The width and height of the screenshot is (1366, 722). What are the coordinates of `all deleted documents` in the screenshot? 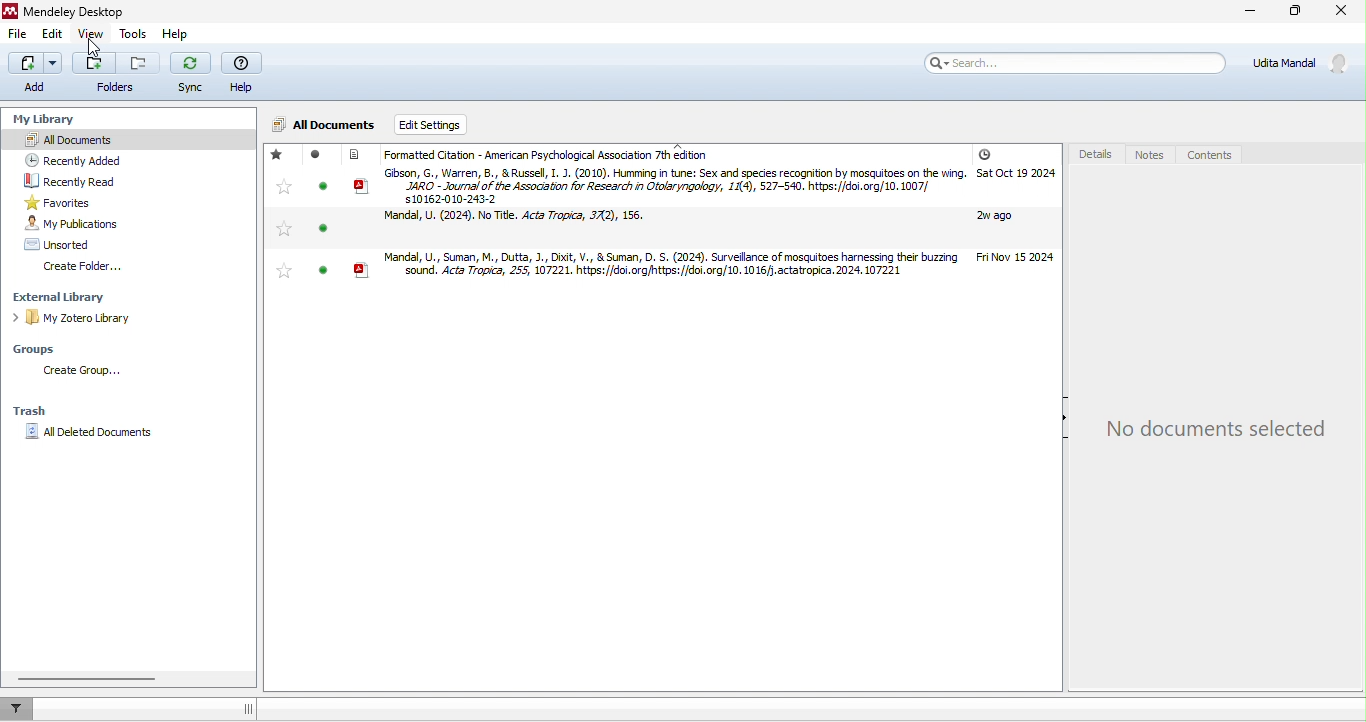 It's located at (93, 437).